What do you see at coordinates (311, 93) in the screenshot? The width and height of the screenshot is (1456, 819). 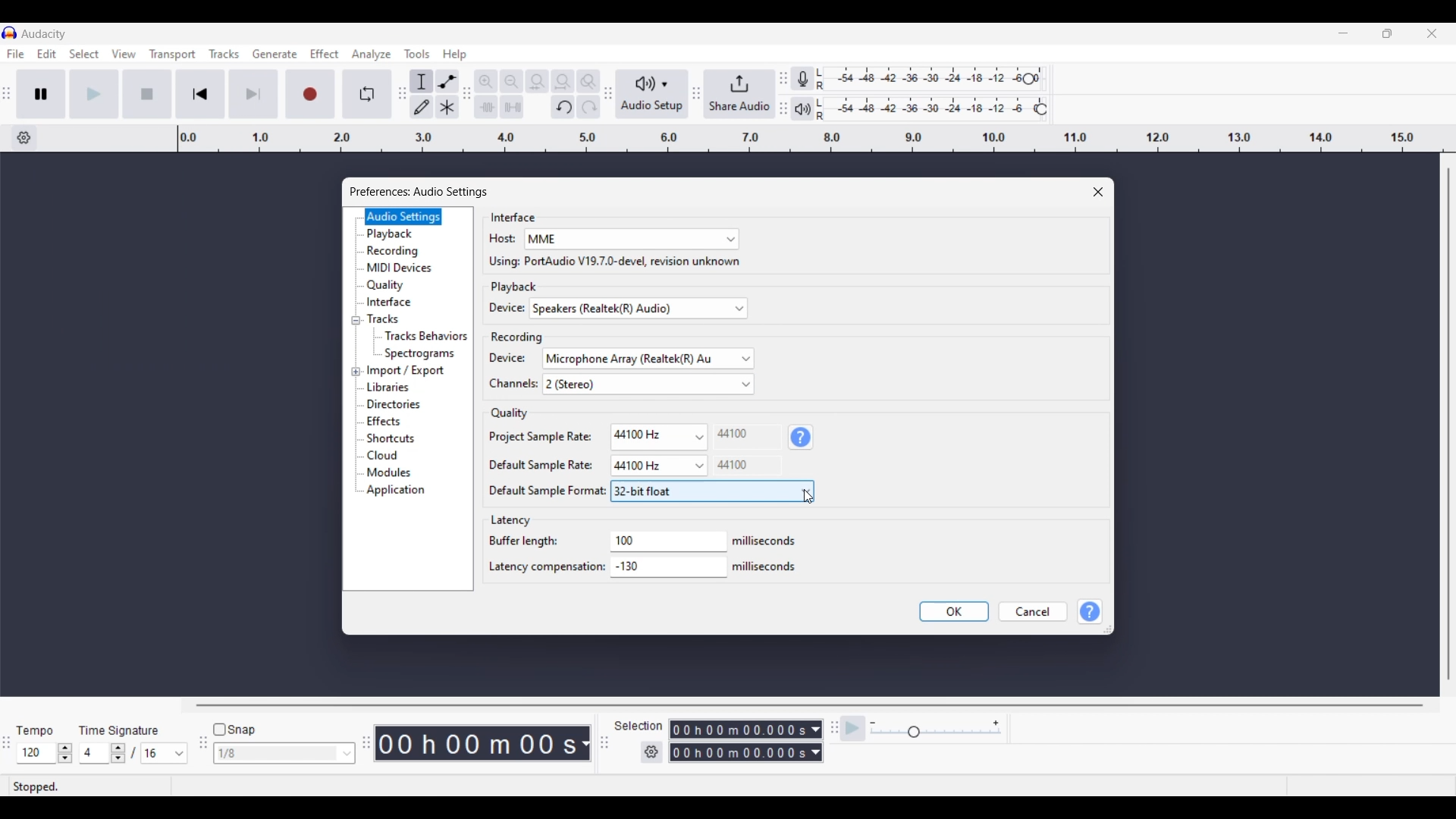 I see `Record/Record new track` at bounding box center [311, 93].